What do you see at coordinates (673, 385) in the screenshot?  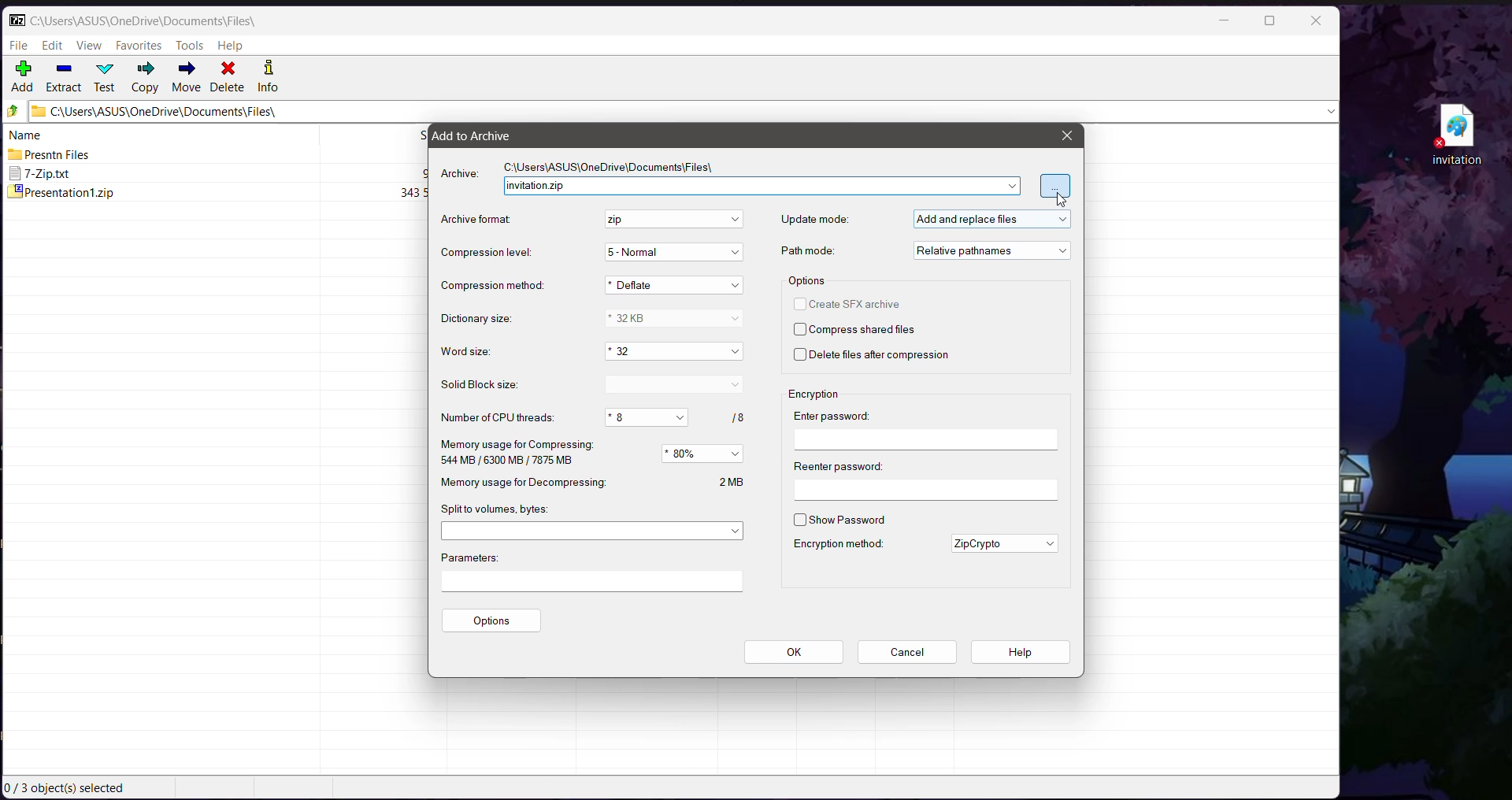 I see `Set the Solid Block size` at bounding box center [673, 385].